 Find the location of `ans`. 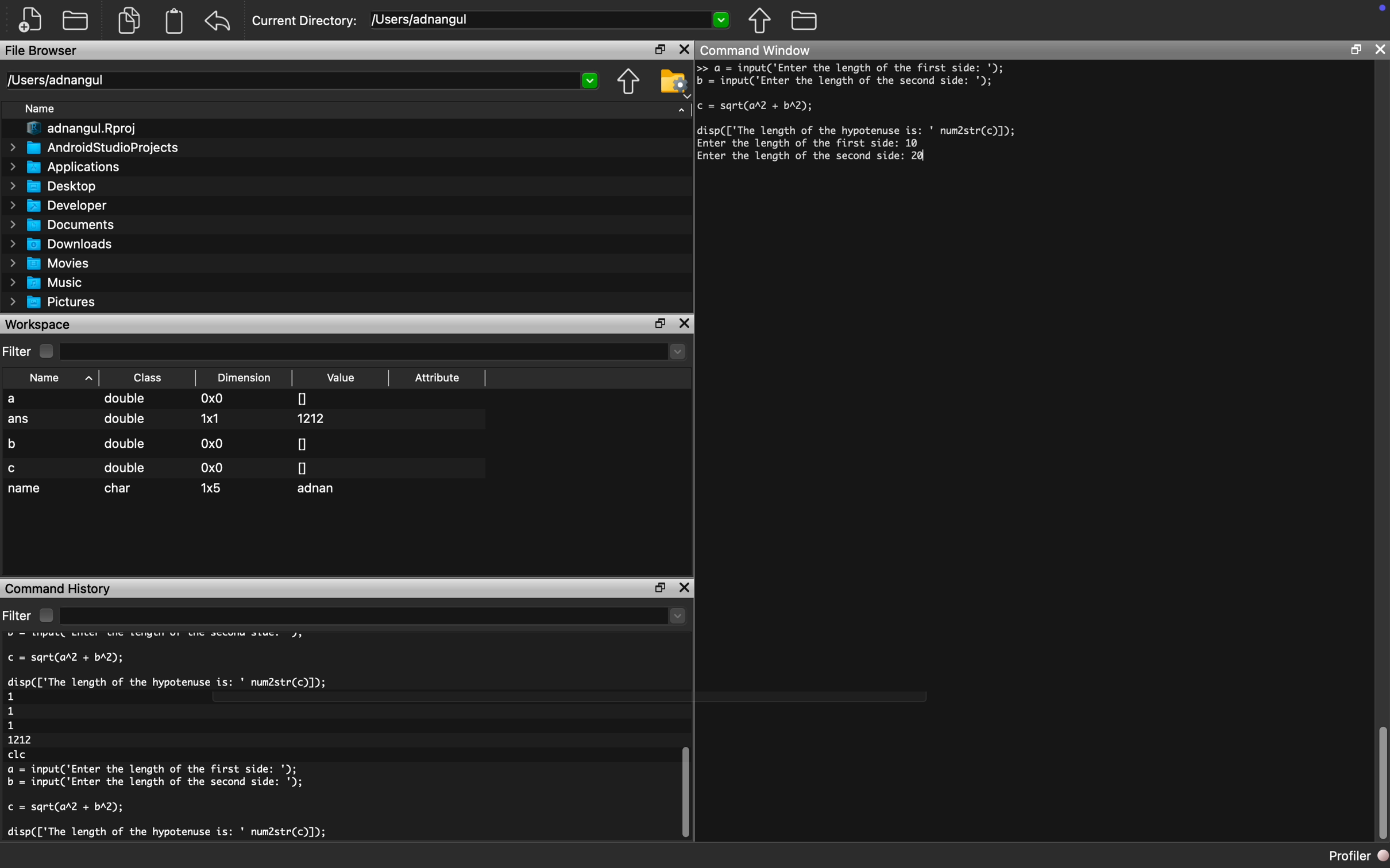

ans is located at coordinates (20, 421).